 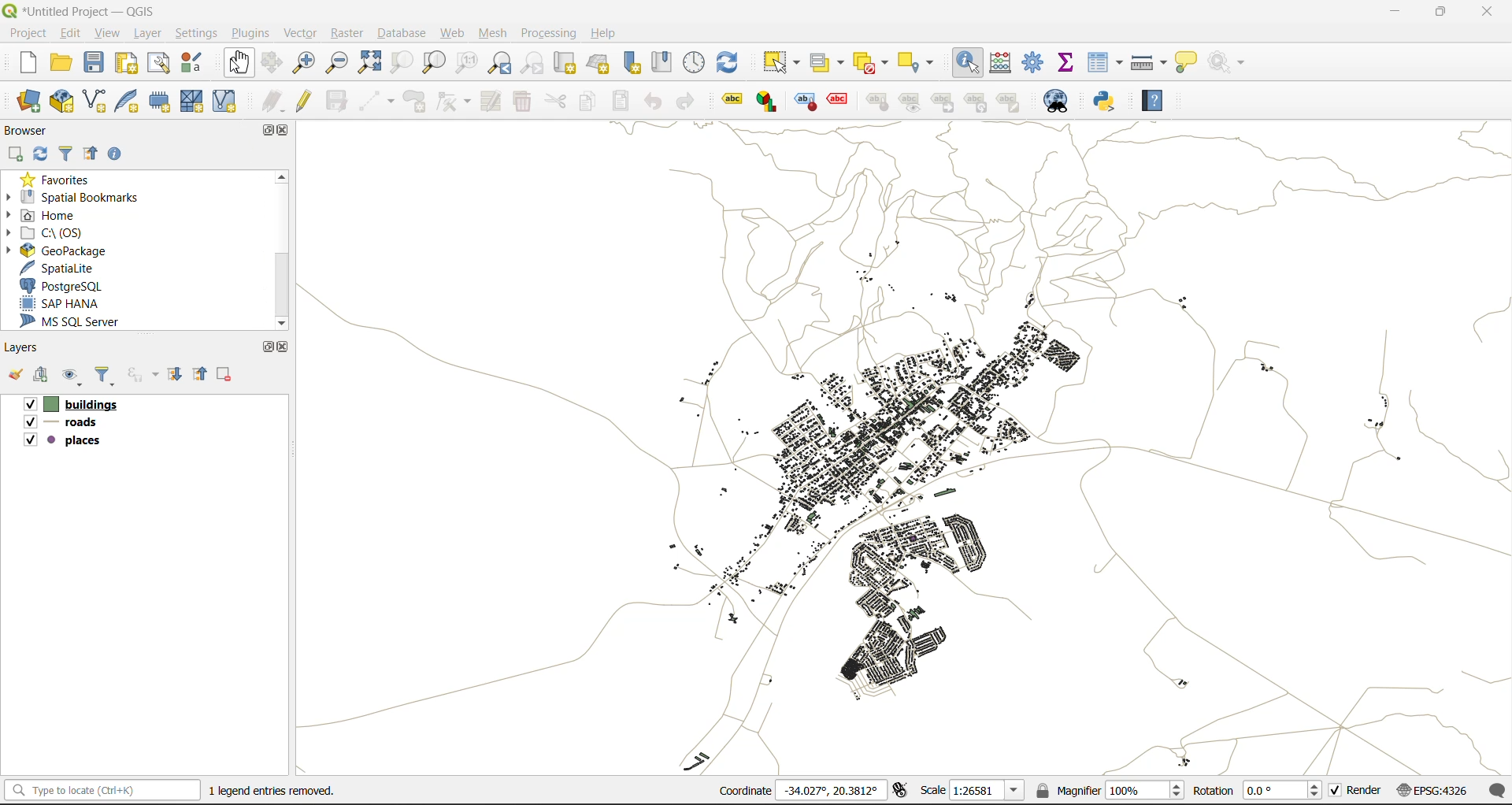 I want to click on remove, so click(x=229, y=374).